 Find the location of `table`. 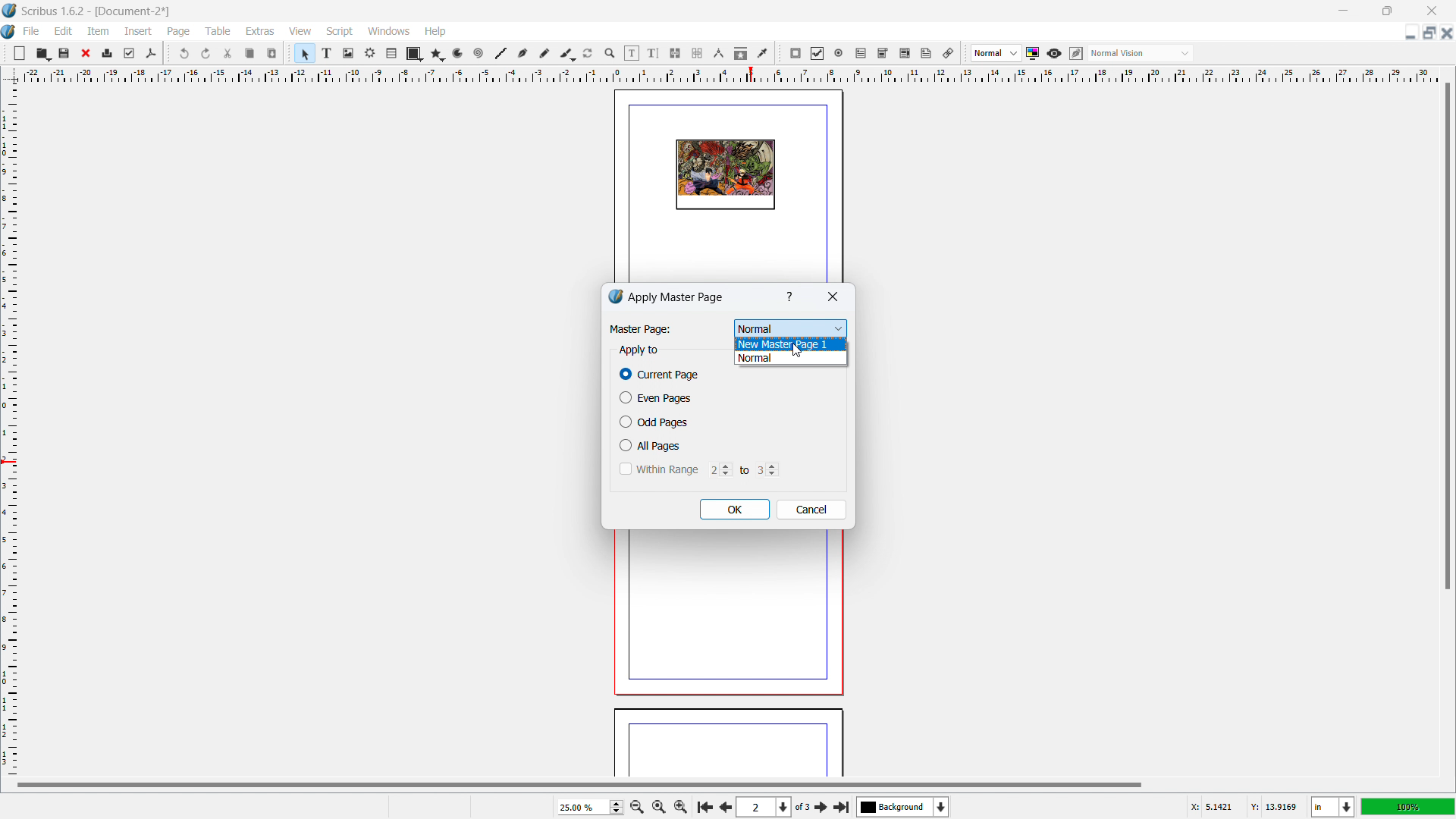

table is located at coordinates (218, 31).